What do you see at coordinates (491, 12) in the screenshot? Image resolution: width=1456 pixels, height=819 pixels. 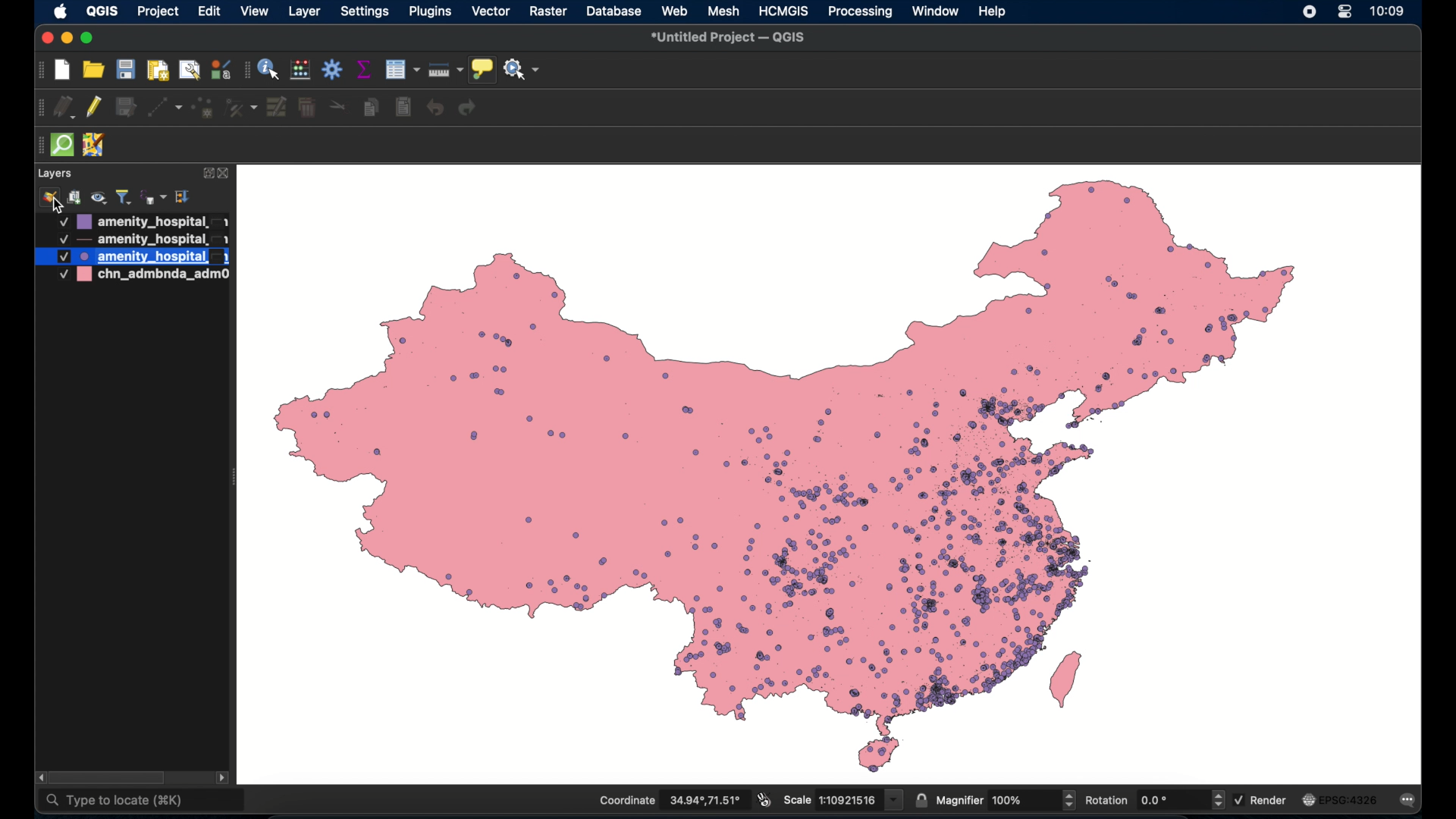 I see `vector` at bounding box center [491, 12].